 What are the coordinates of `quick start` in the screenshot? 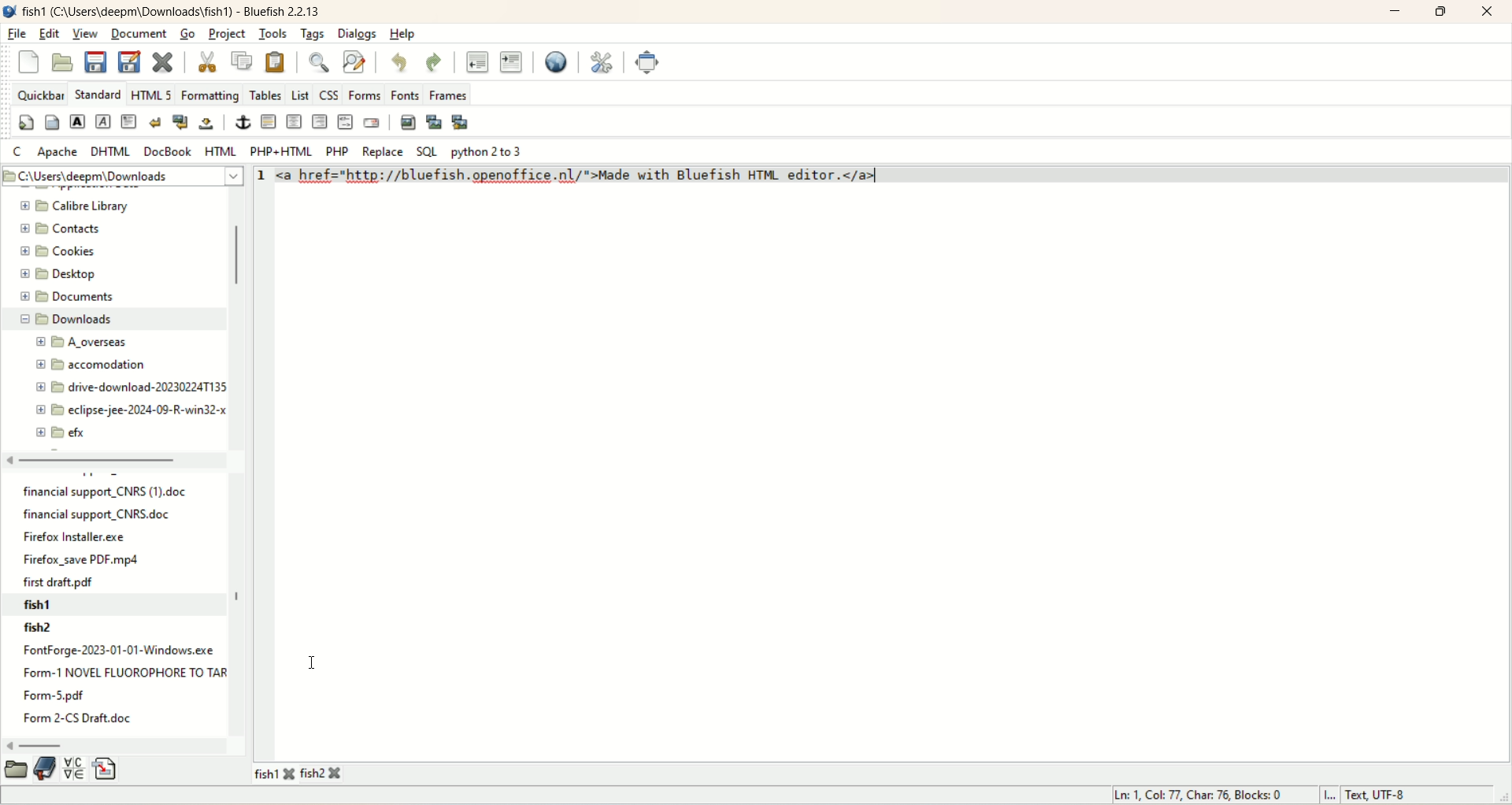 It's located at (26, 122).